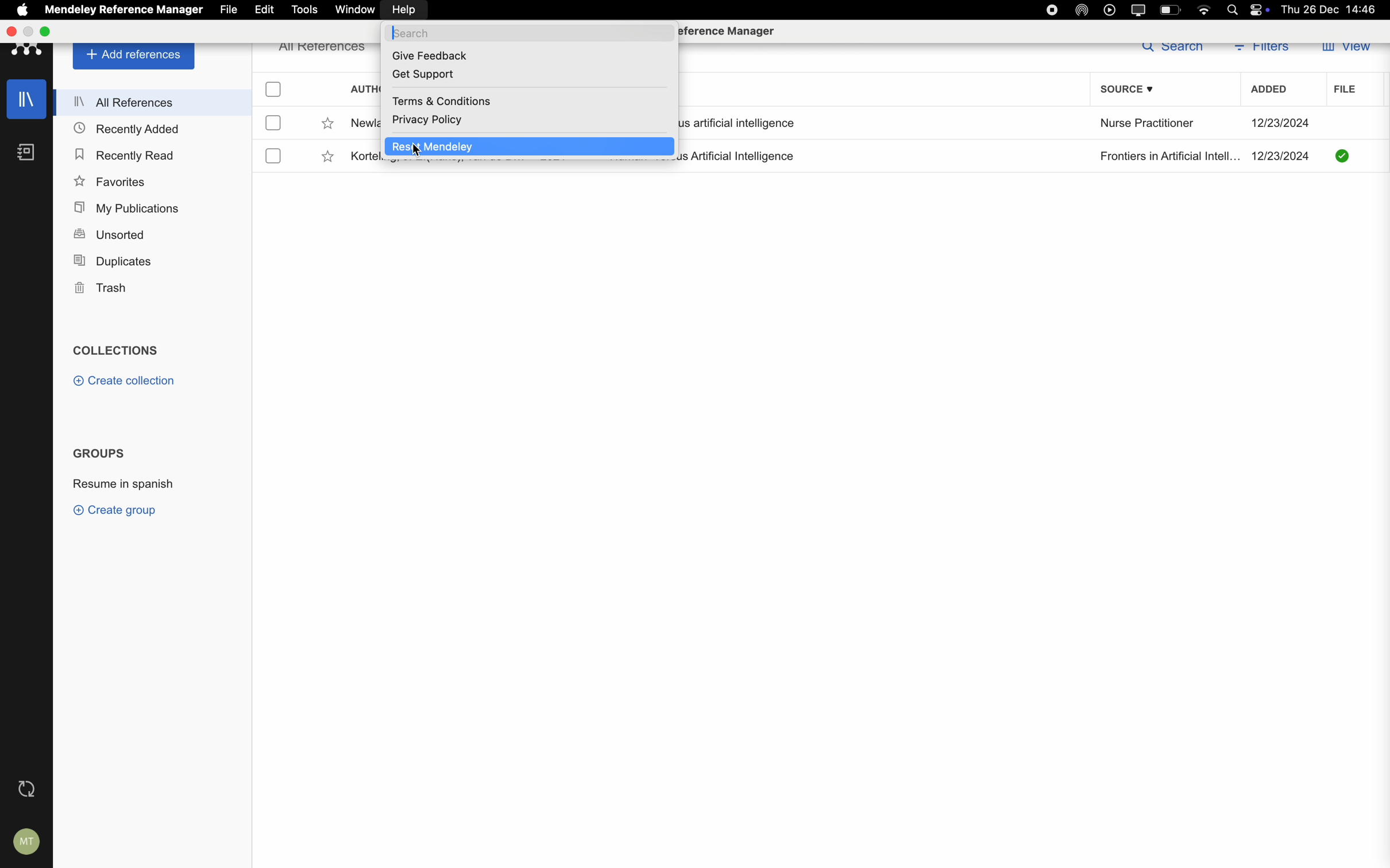 The image size is (1390, 868). What do you see at coordinates (130, 208) in the screenshot?
I see `my publications` at bounding box center [130, 208].